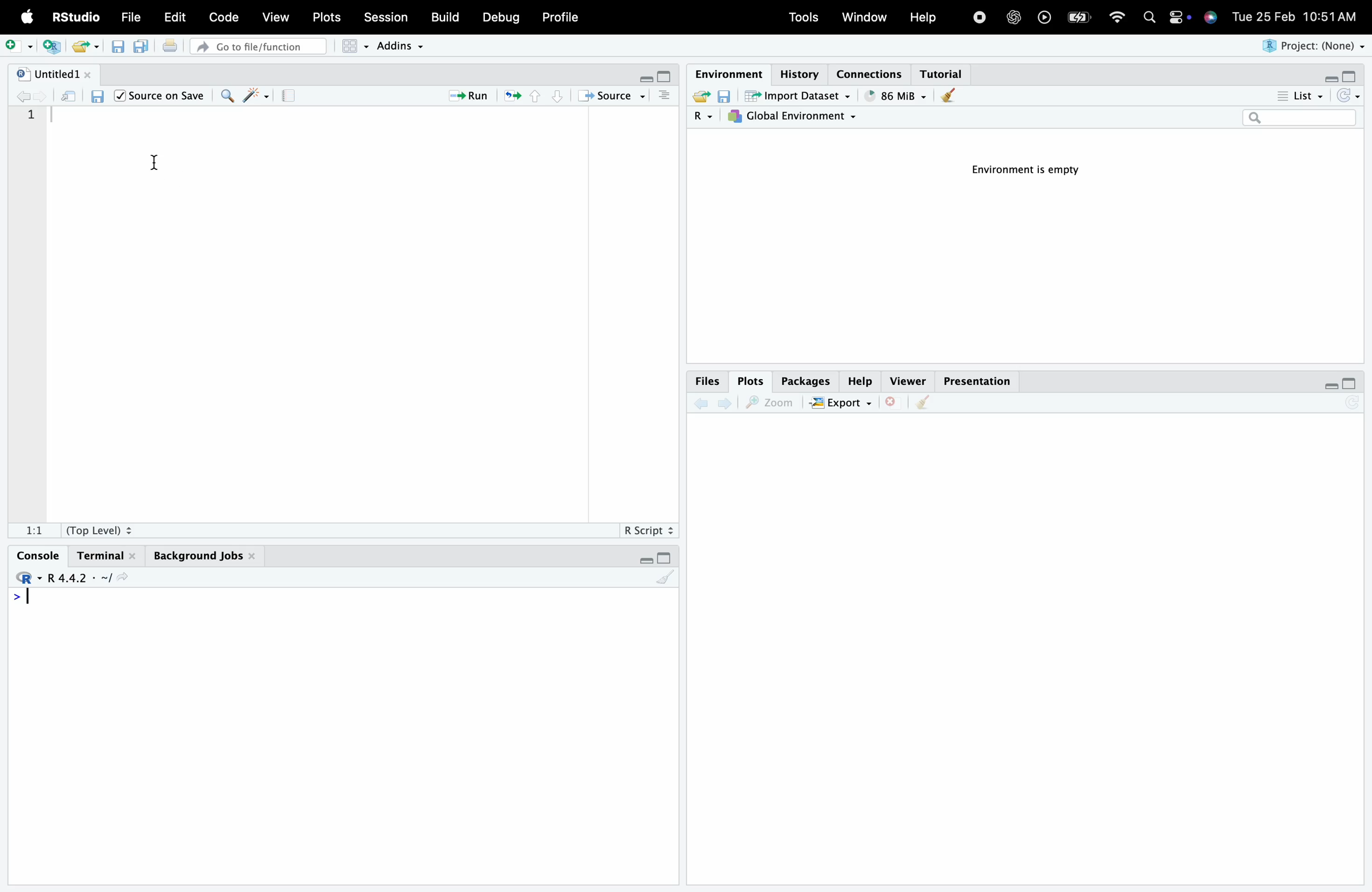  What do you see at coordinates (144, 52) in the screenshot?
I see `save multiple scripts` at bounding box center [144, 52].